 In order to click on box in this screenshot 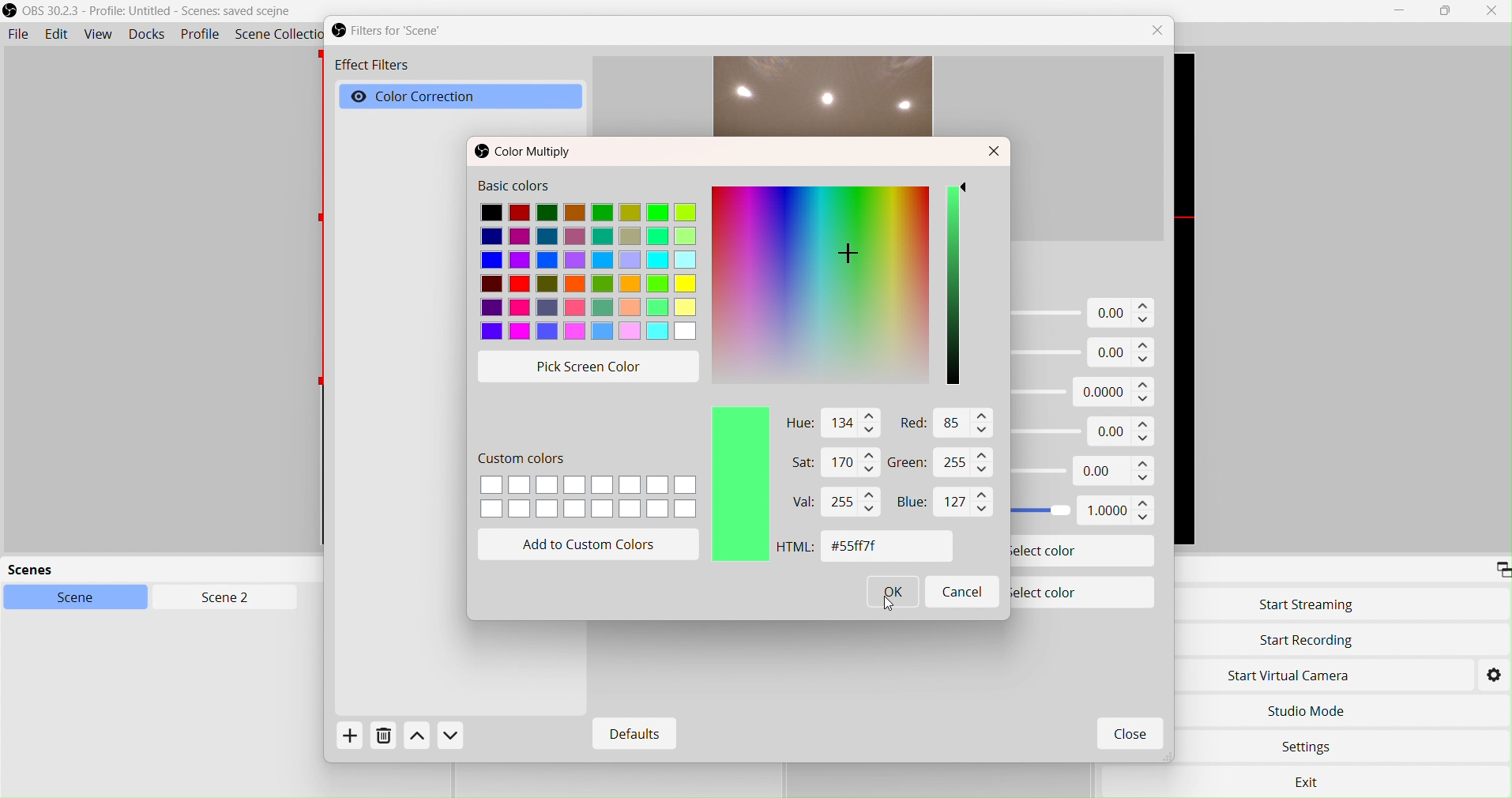, I will do `click(1448, 12)`.